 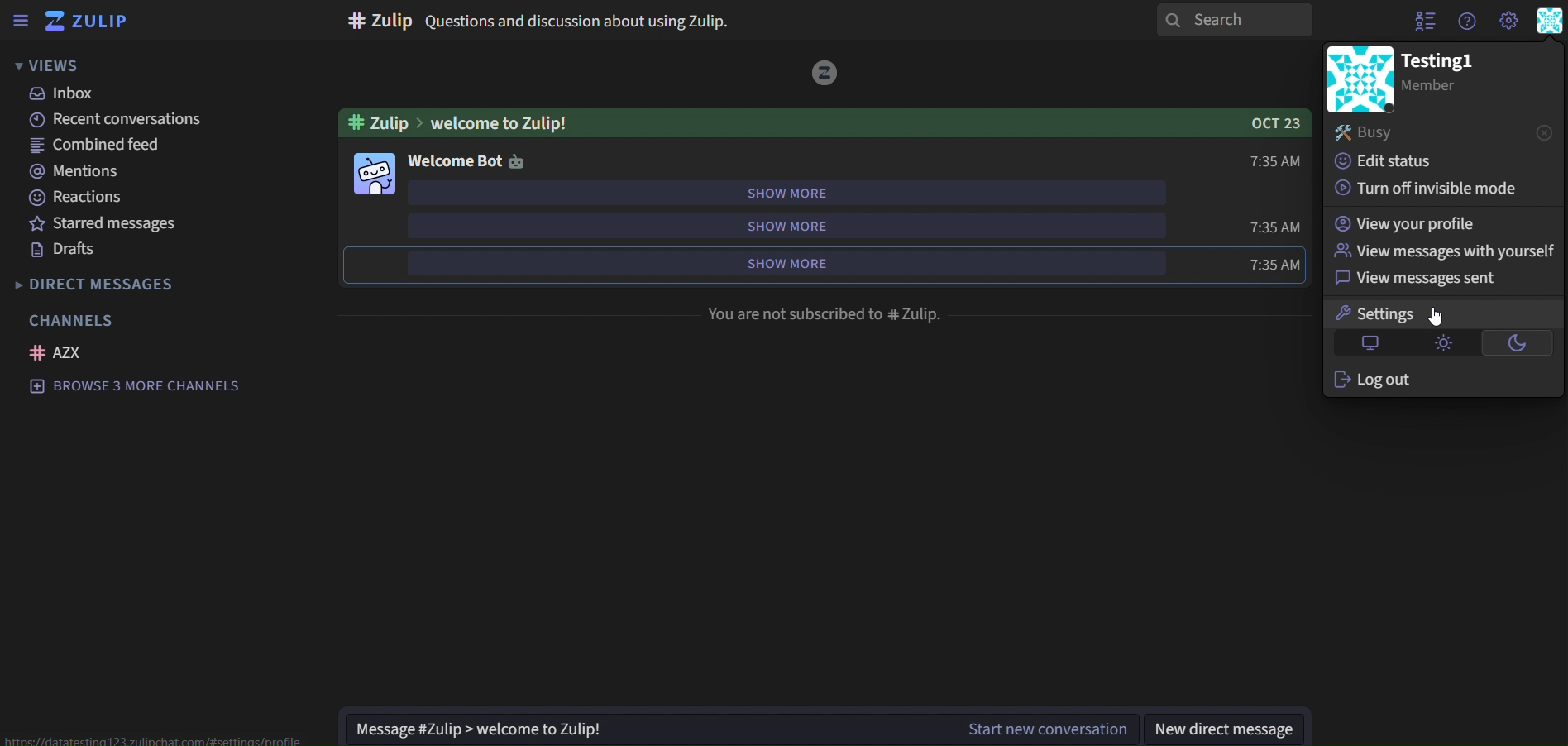 I want to click on settings, so click(x=1384, y=313).